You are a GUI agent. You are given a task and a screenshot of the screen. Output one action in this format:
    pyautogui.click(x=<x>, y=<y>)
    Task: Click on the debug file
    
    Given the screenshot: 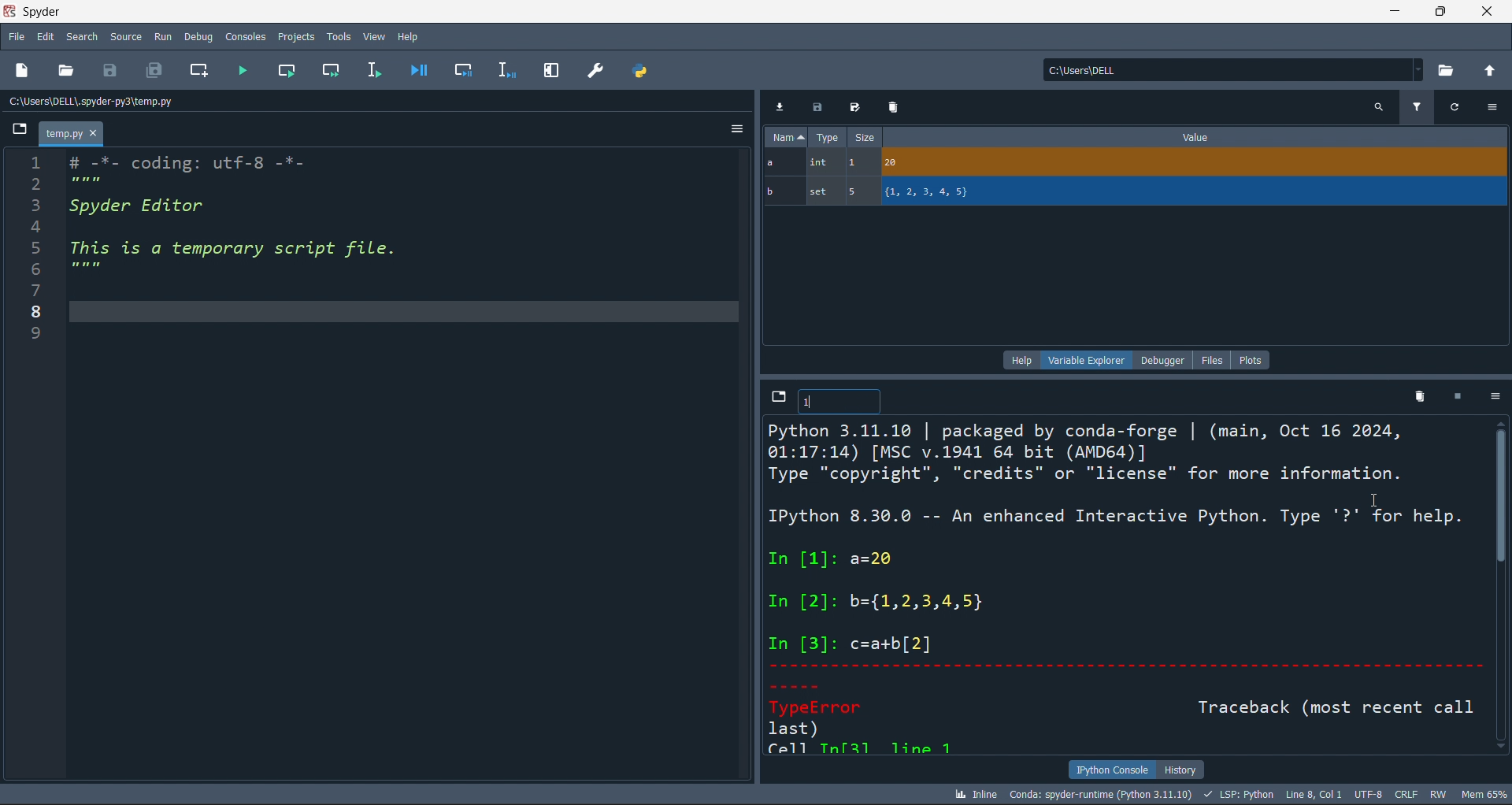 What is the action you would take?
    pyautogui.click(x=418, y=69)
    